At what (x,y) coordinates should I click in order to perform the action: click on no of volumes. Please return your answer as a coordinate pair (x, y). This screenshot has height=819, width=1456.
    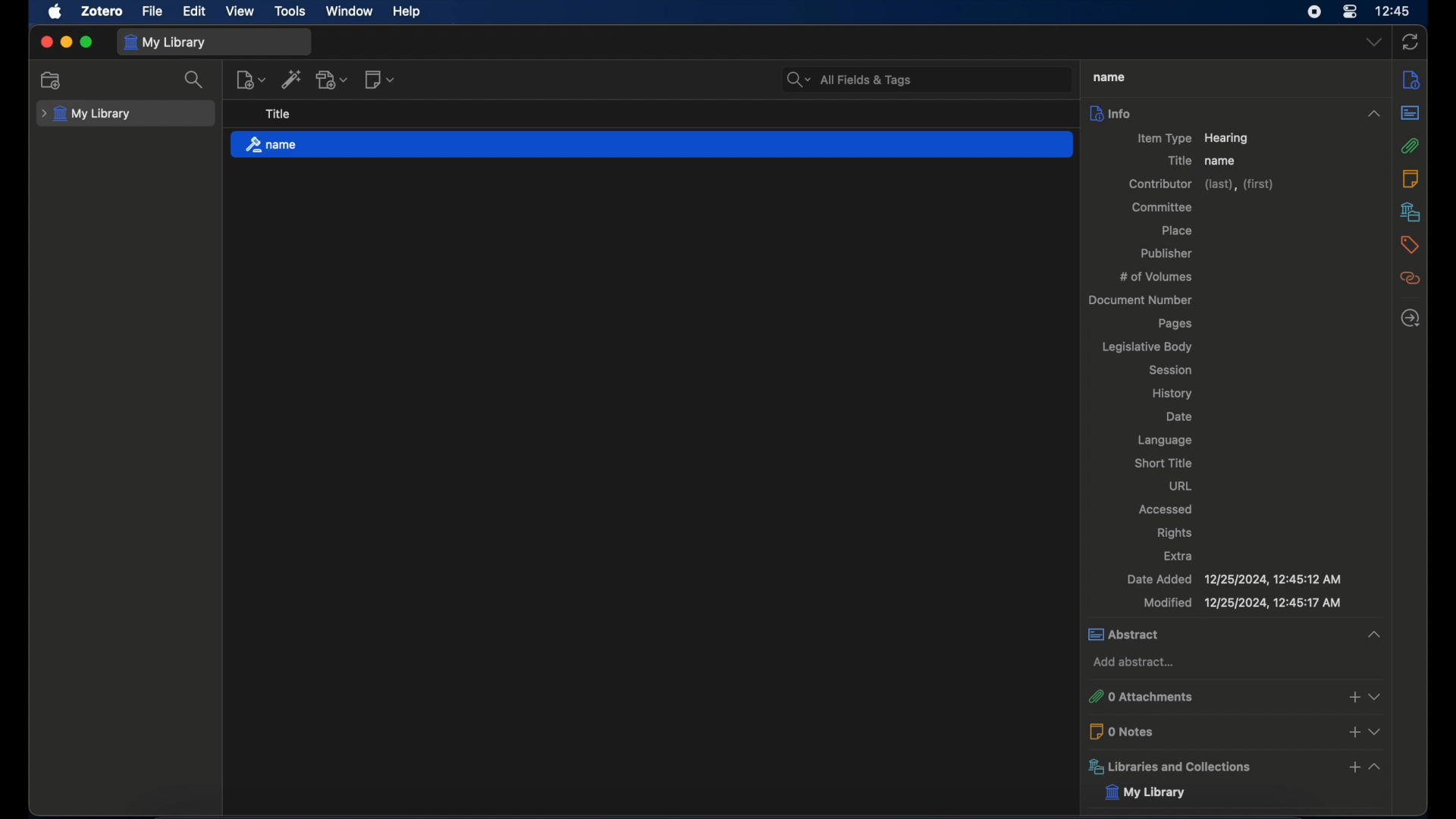
    Looking at the image, I should click on (1156, 276).